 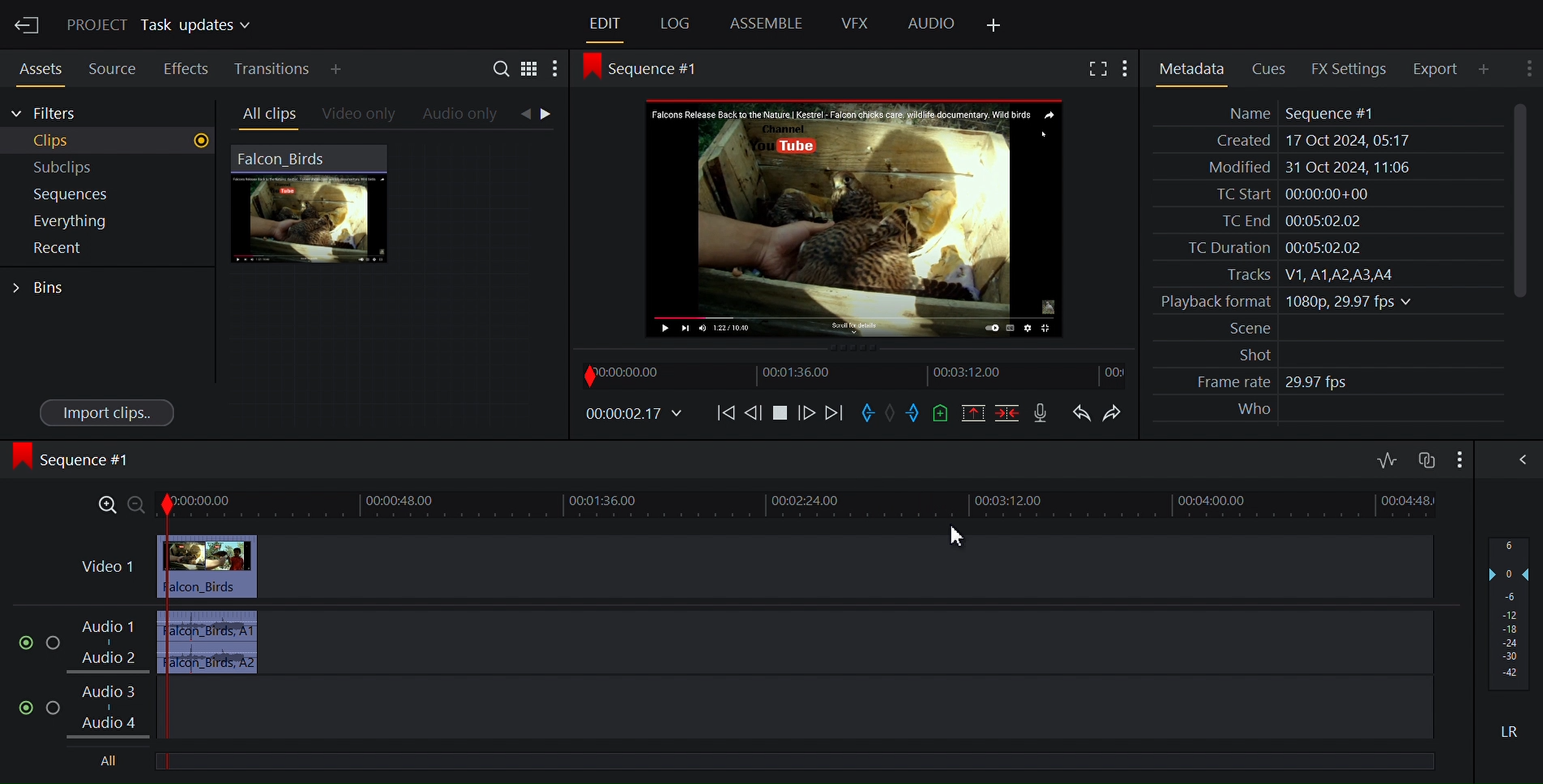 What do you see at coordinates (1007, 413) in the screenshot?
I see `Delete/cut` at bounding box center [1007, 413].